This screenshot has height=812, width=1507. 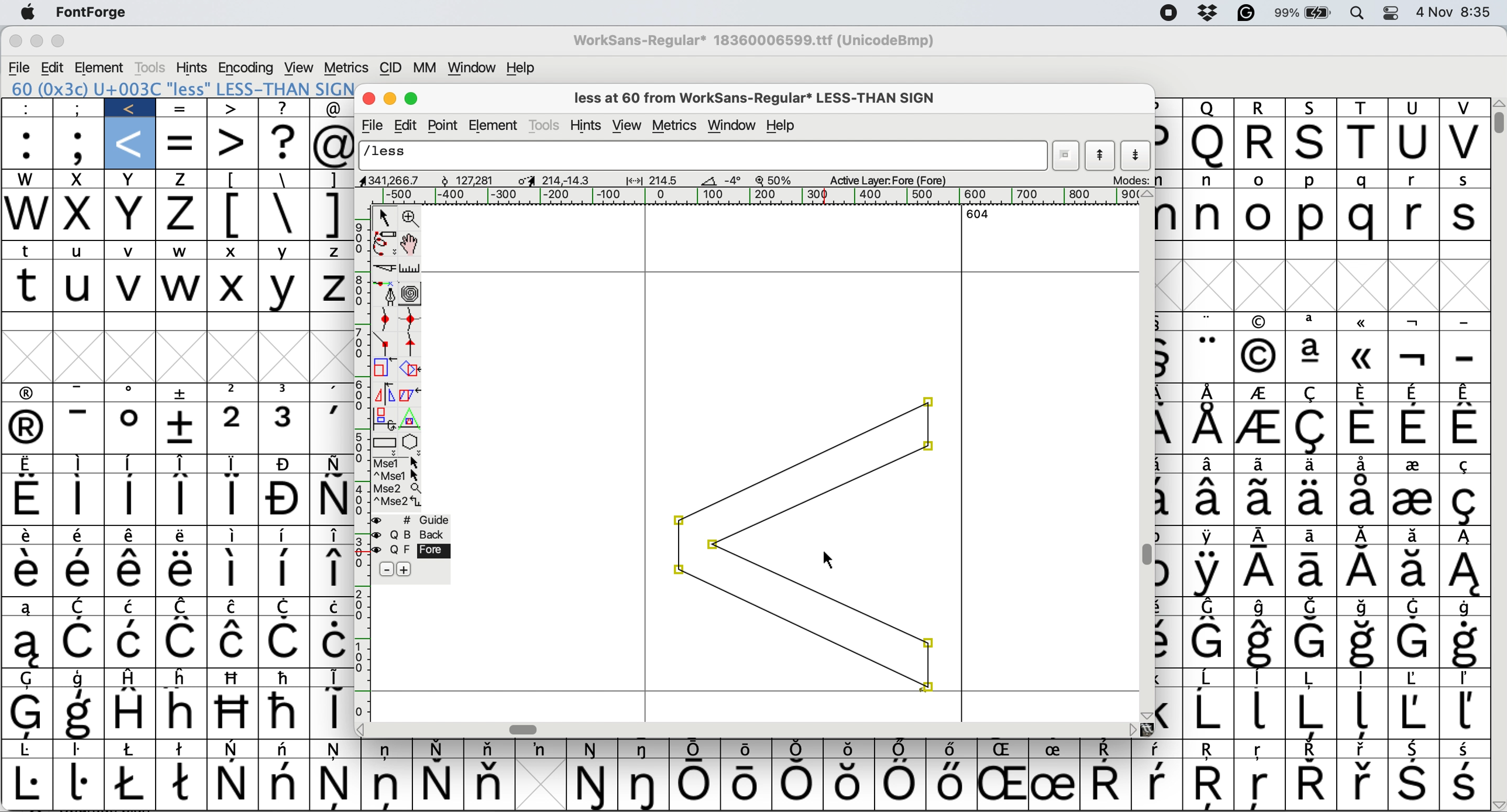 I want to click on Symbol, so click(x=232, y=750).